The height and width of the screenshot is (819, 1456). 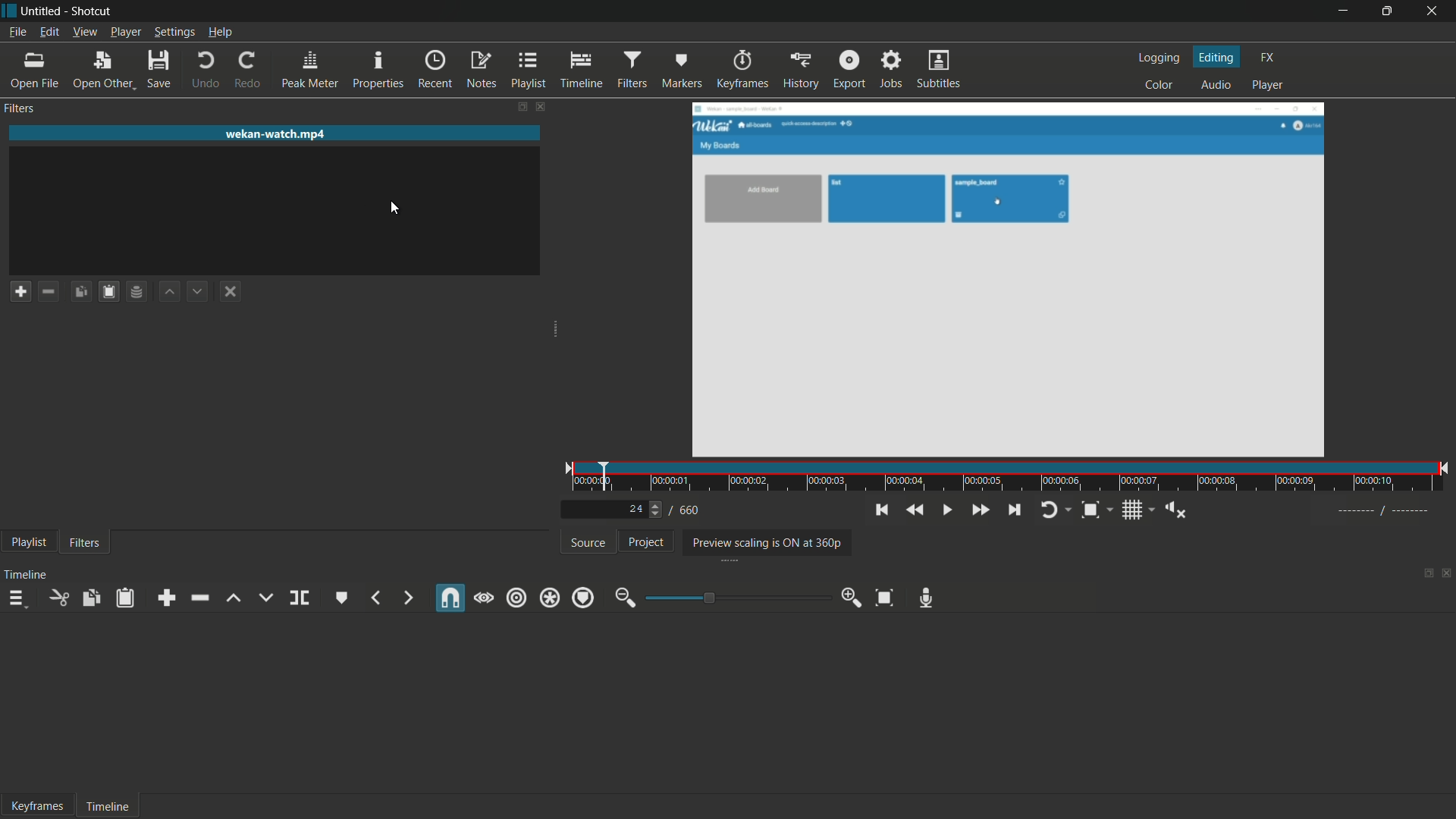 I want to click on save filters, so click(x=105, y=293).